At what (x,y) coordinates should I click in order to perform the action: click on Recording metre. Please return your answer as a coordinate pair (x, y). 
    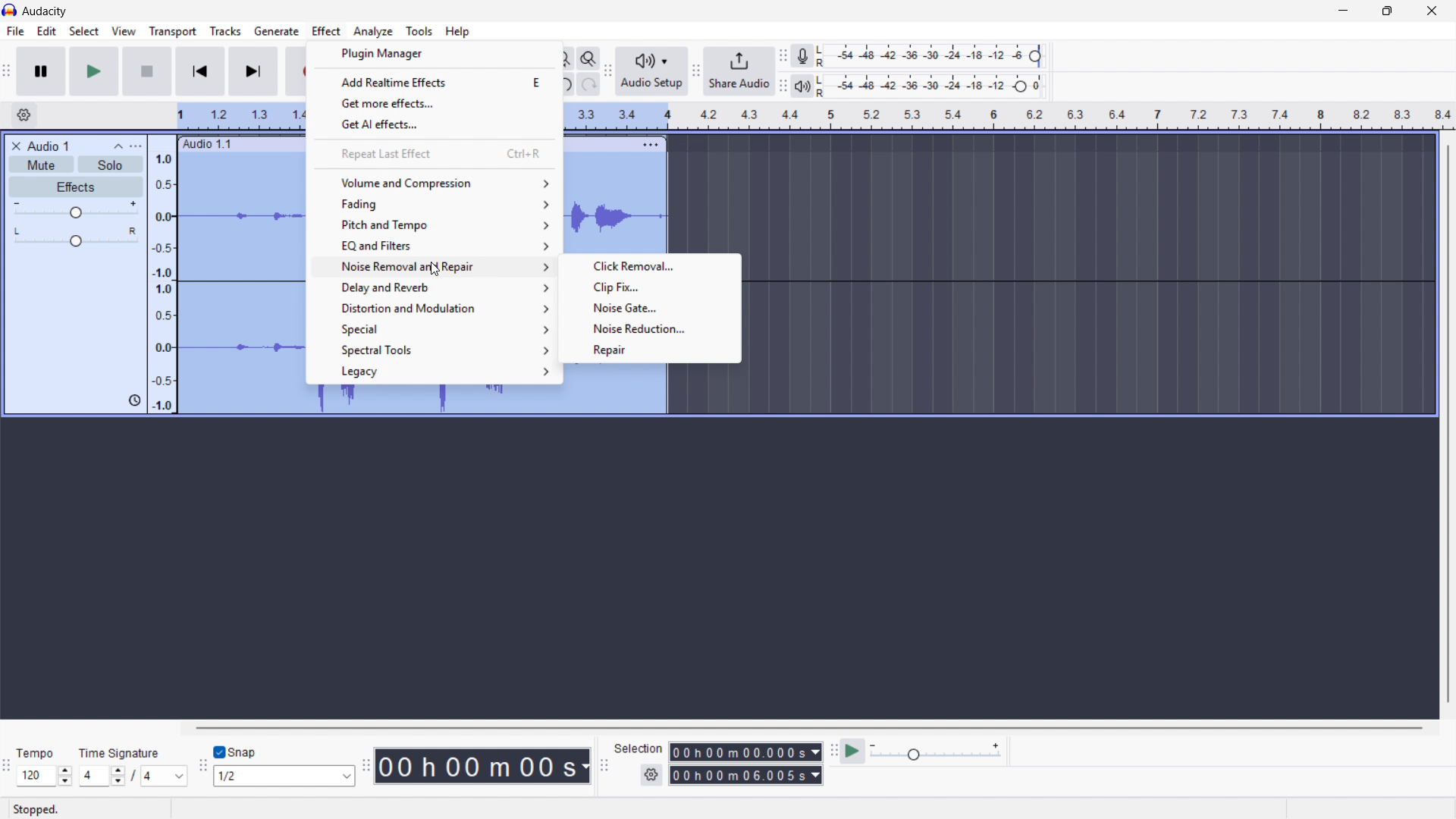
    Looking at the image, I should click on (802, 56).